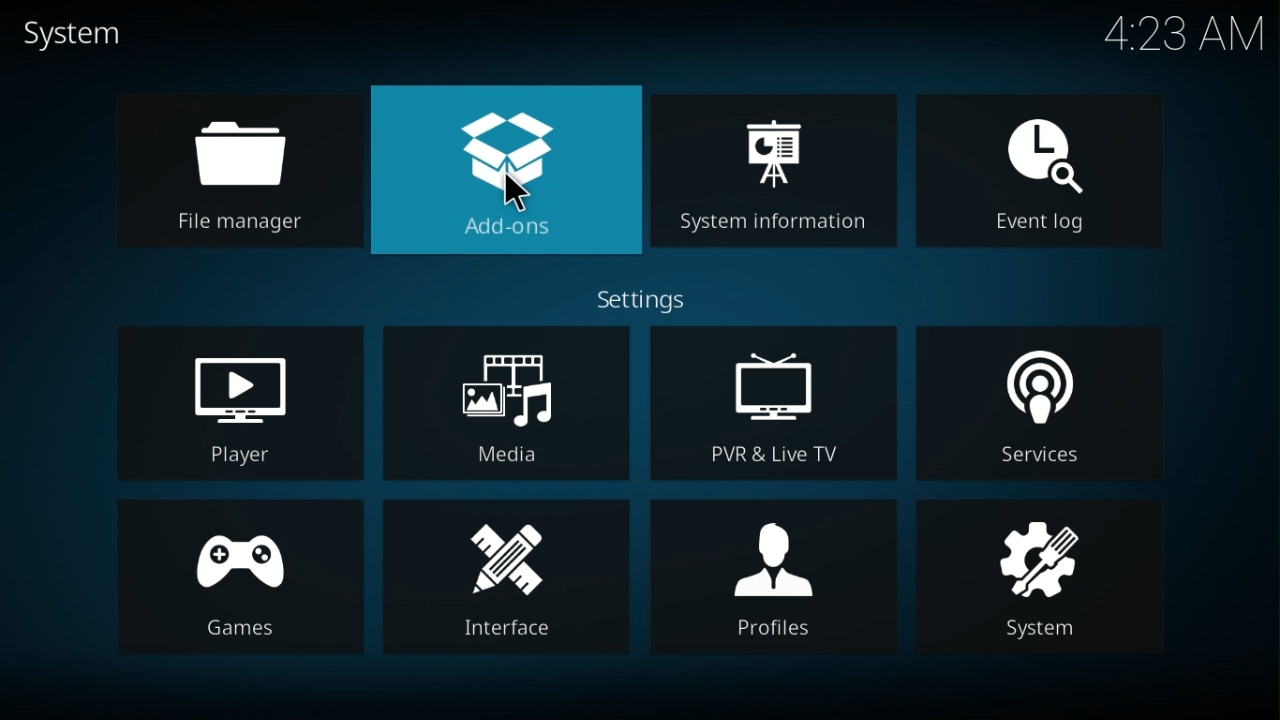 This screenshot has height=720, width=1280. What do you see at coordinates (772, 169) in the screenshot?
I see `System information ` at bounding box center [772, 169].